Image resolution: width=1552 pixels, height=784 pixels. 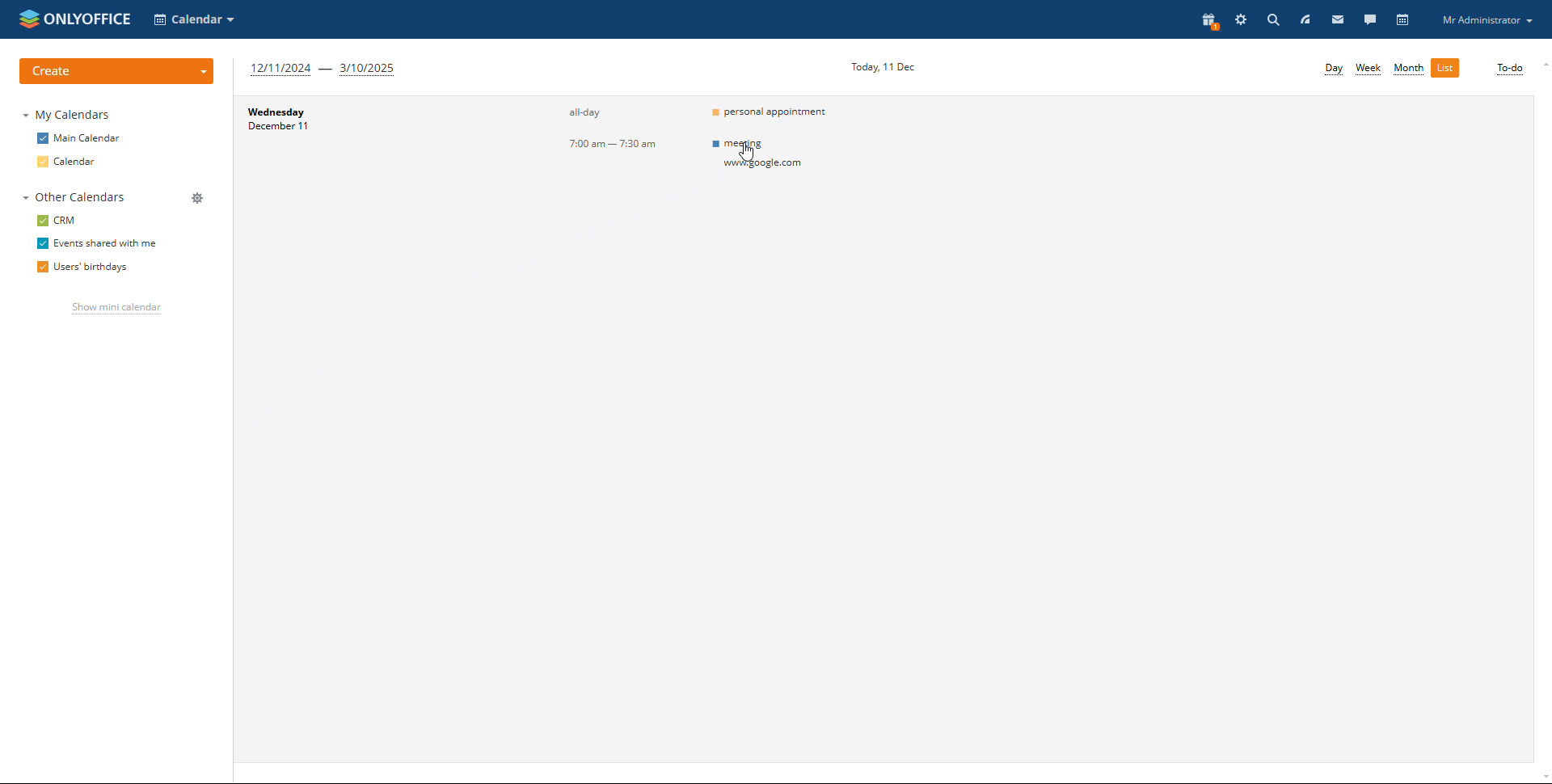 I want to click on manage, so click(x=198, y=199).